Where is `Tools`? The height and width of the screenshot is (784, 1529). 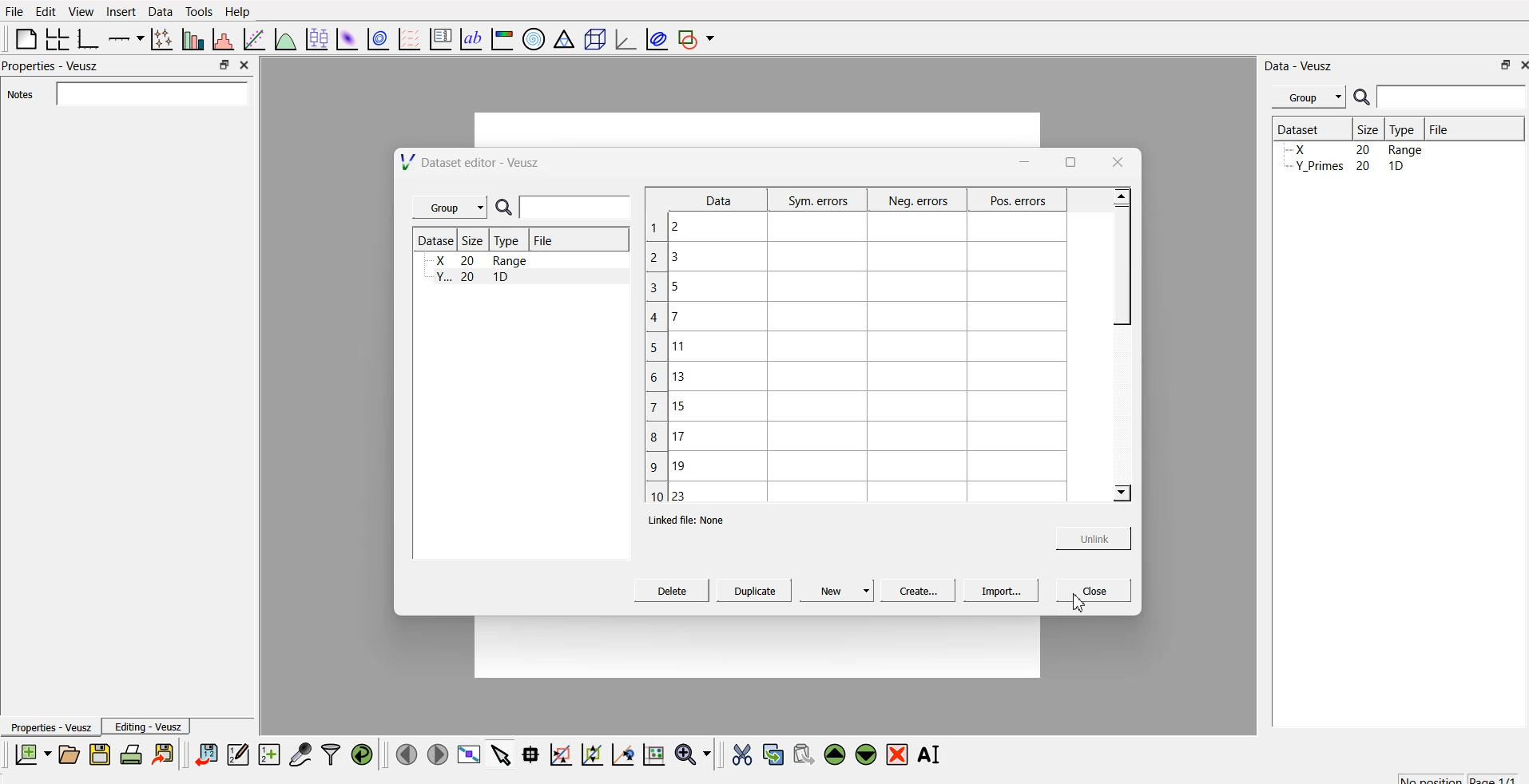
Tools is located at coordinates (198, 10).